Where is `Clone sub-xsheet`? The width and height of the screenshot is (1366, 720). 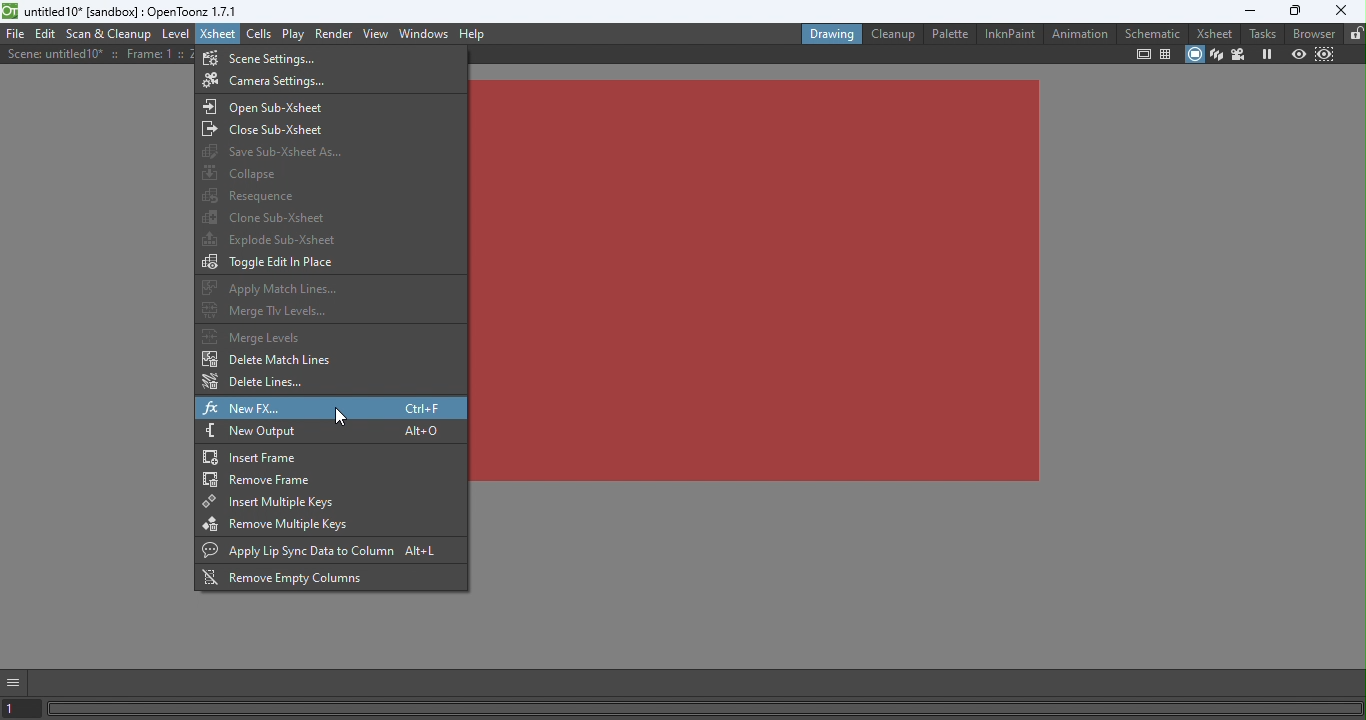
Clone sub-xsheet is located at coordinates (267, 215).